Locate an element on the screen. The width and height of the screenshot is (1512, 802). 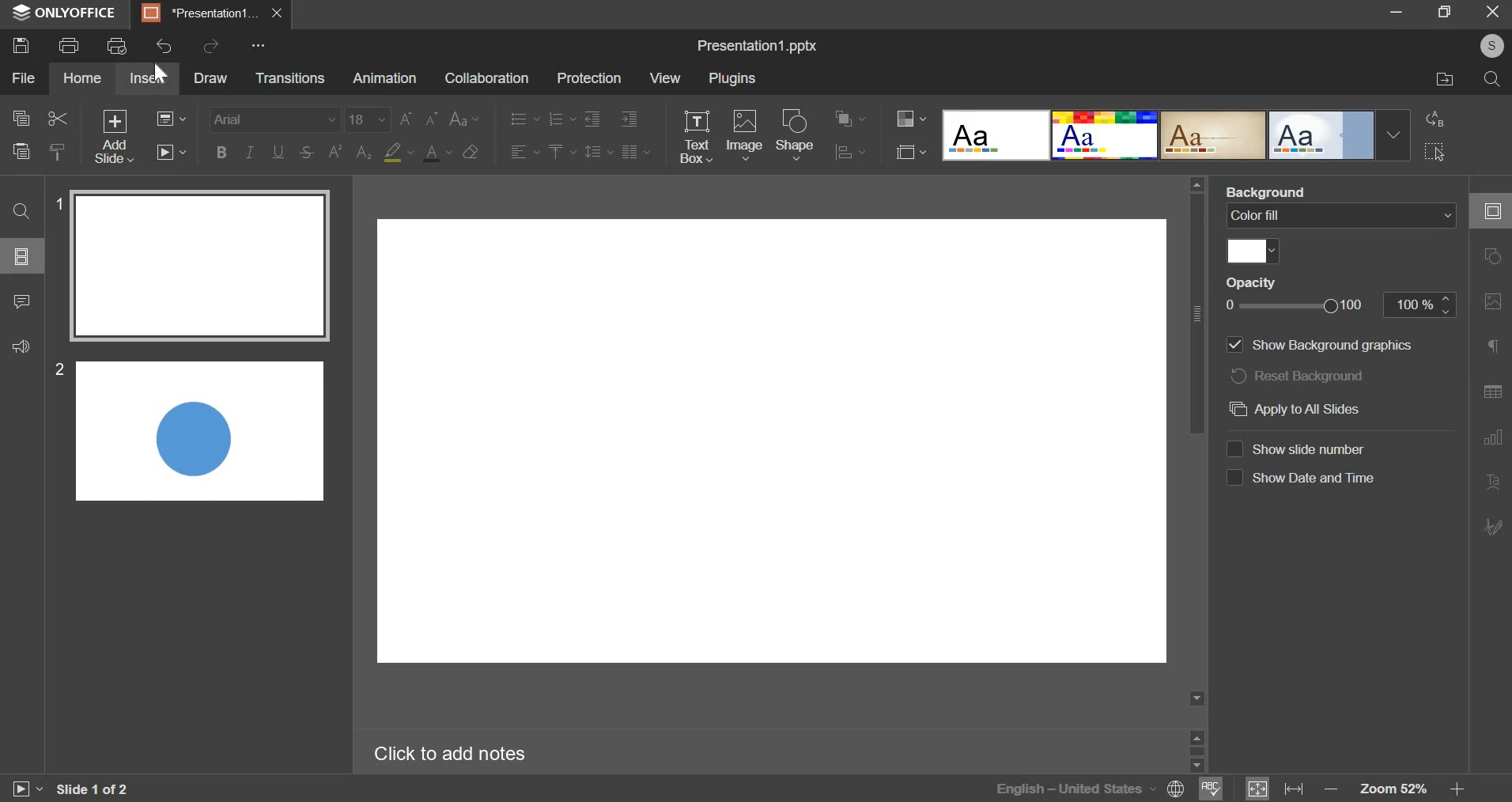
2 is located at coordinates (59, 370).